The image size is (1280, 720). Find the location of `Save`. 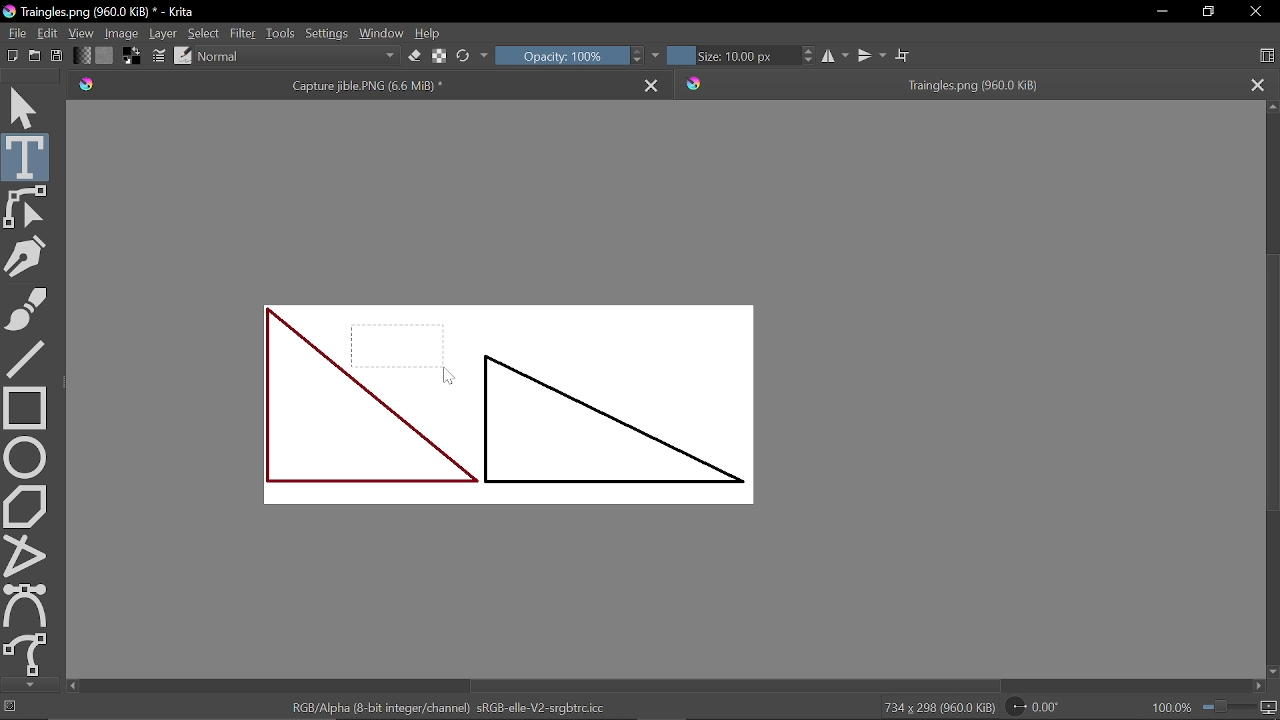

Save is located at coordinates (57, 57).